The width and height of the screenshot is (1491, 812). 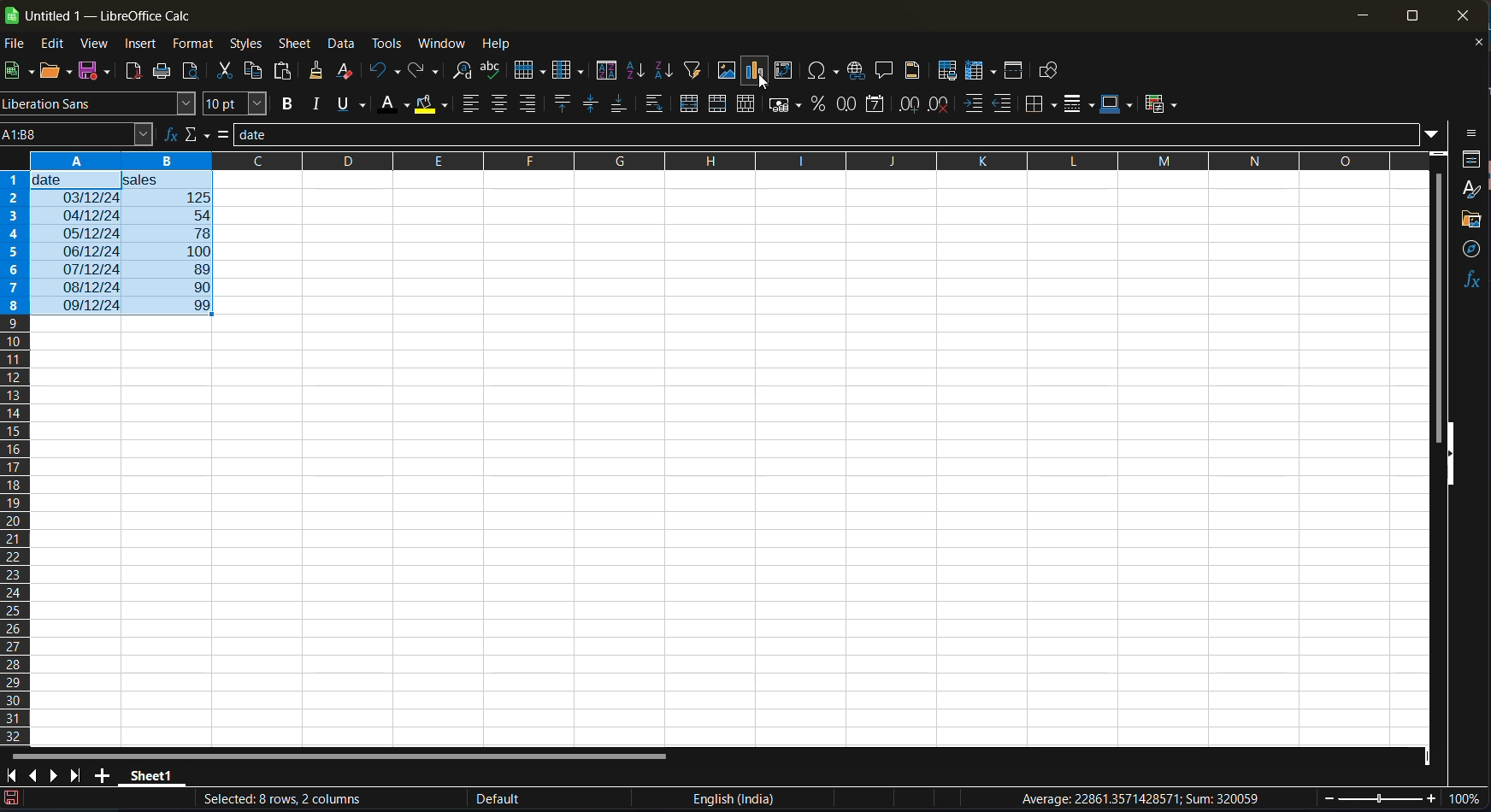 I want to click on align bottom, so click(x=619, y=105).